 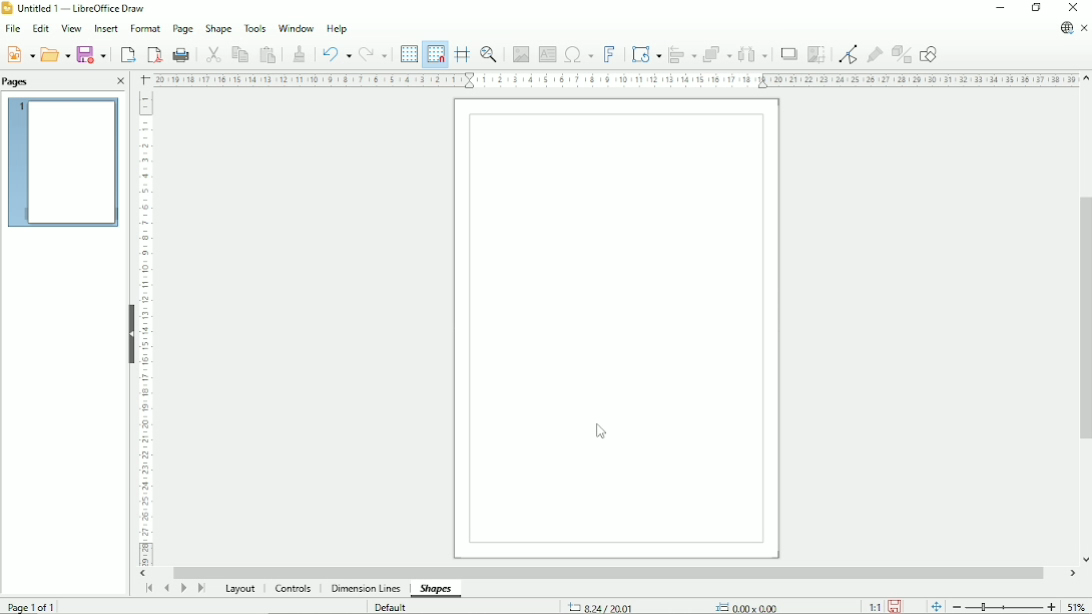 I want to click on Close, so click(x=1074, y=7).